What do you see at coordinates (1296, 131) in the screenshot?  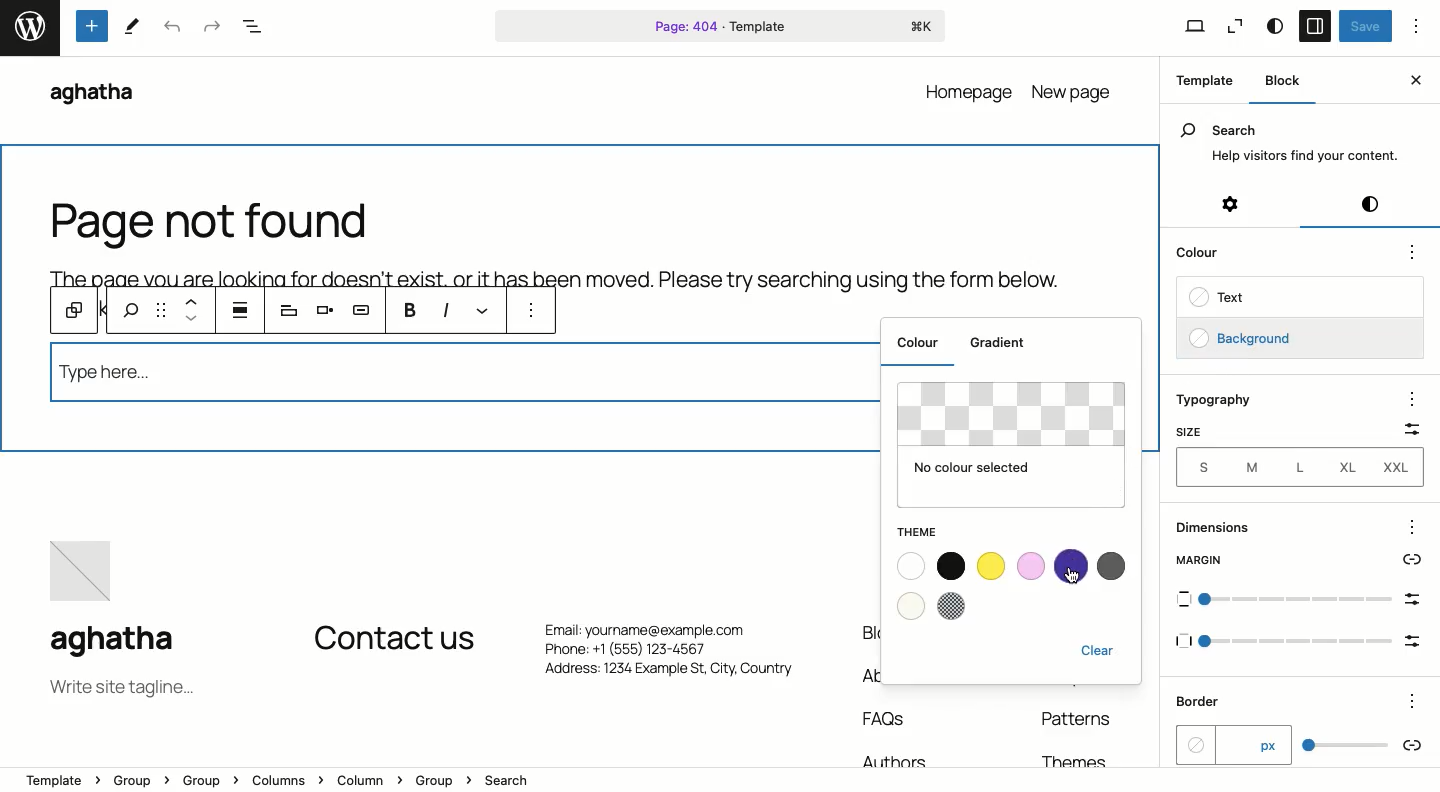 I see `Search` at bounding box center [1296, 131].